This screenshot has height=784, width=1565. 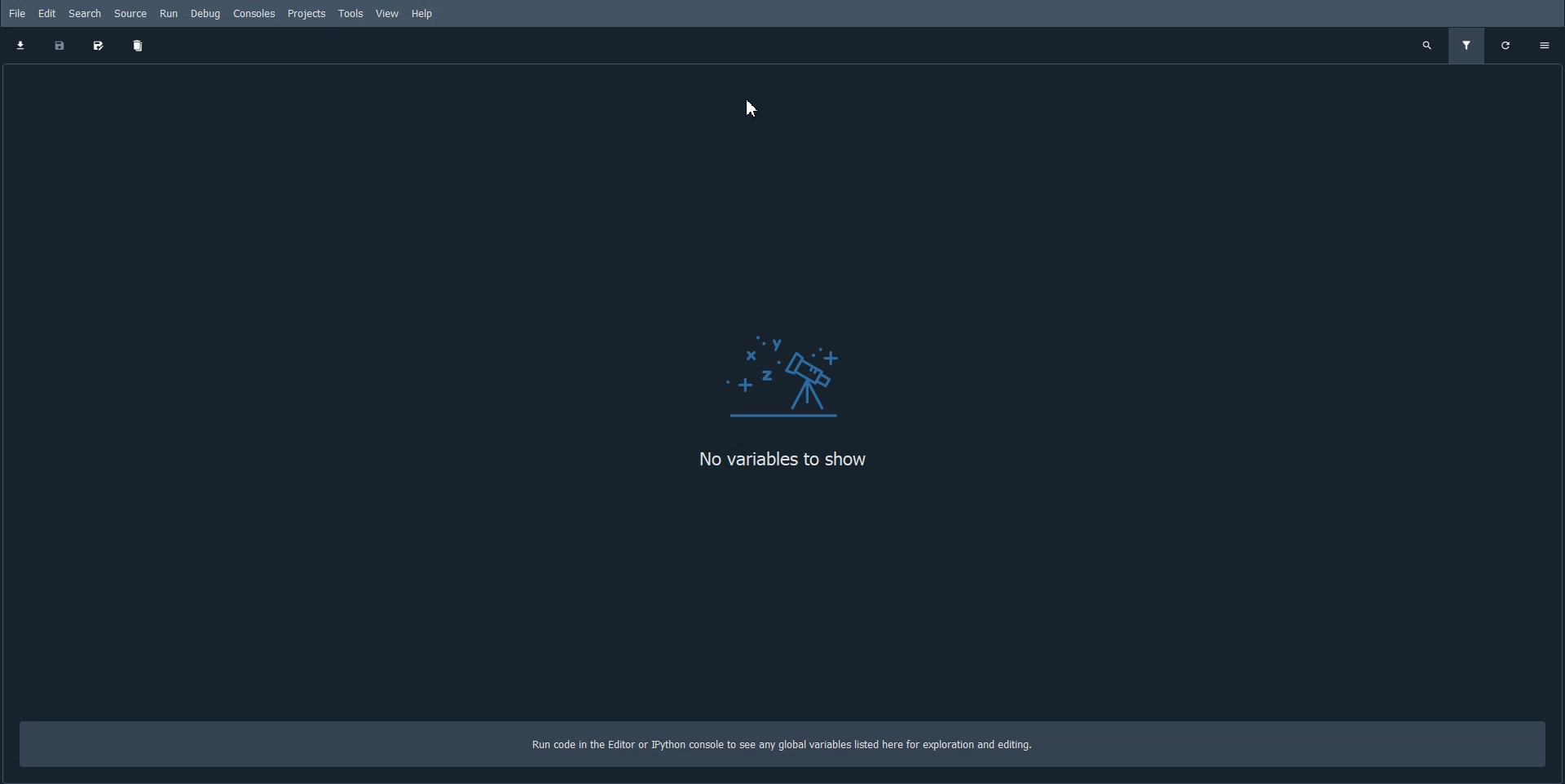 What do you see at coordinates (795, 745) in the screenshot?
I see `Run code in the Editor or Python console to see any global variables listed here for exploration and editing.` at bounding box center [795, 745].